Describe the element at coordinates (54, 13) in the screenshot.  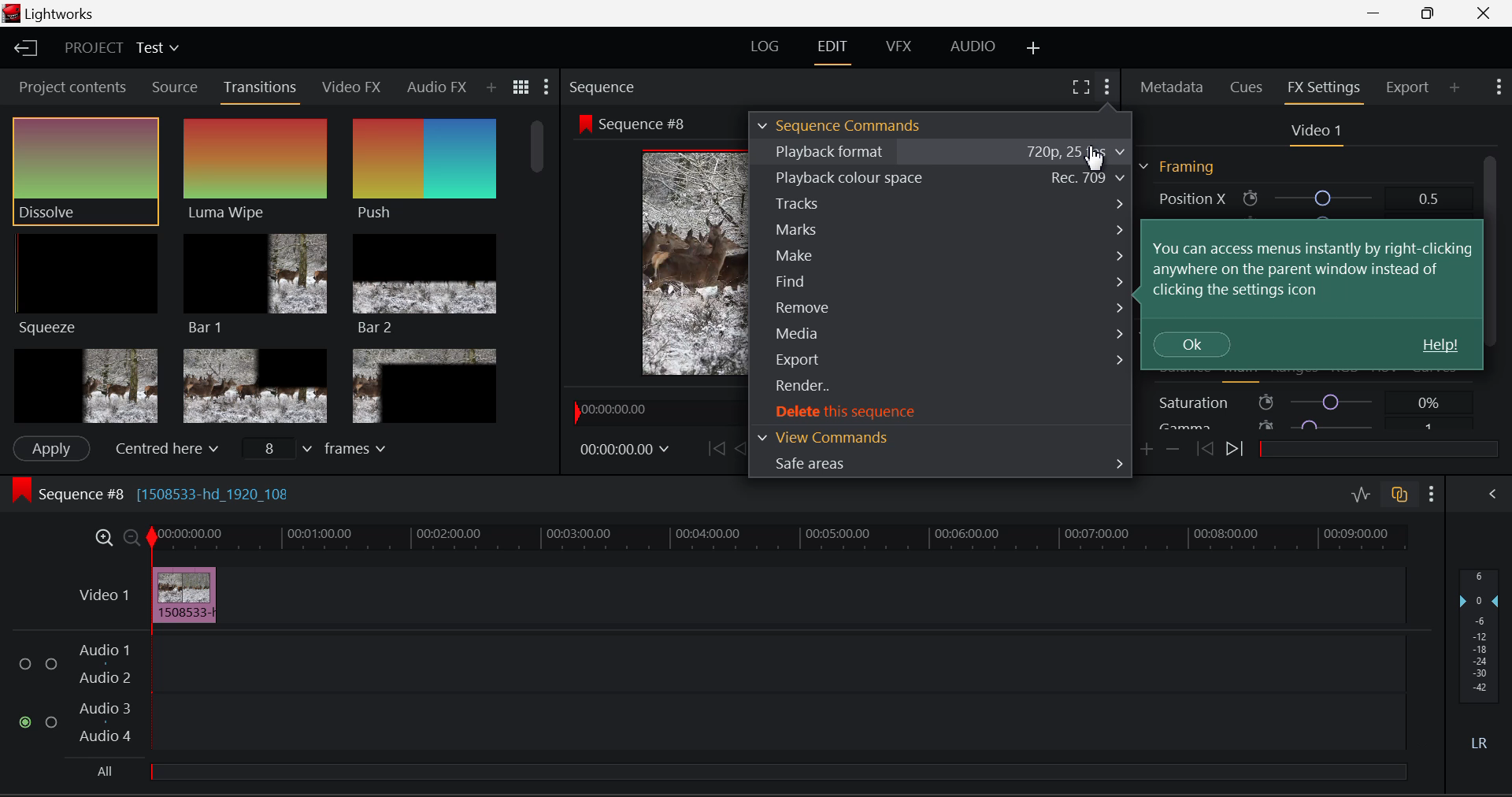
I see `Lightworks` at that location.